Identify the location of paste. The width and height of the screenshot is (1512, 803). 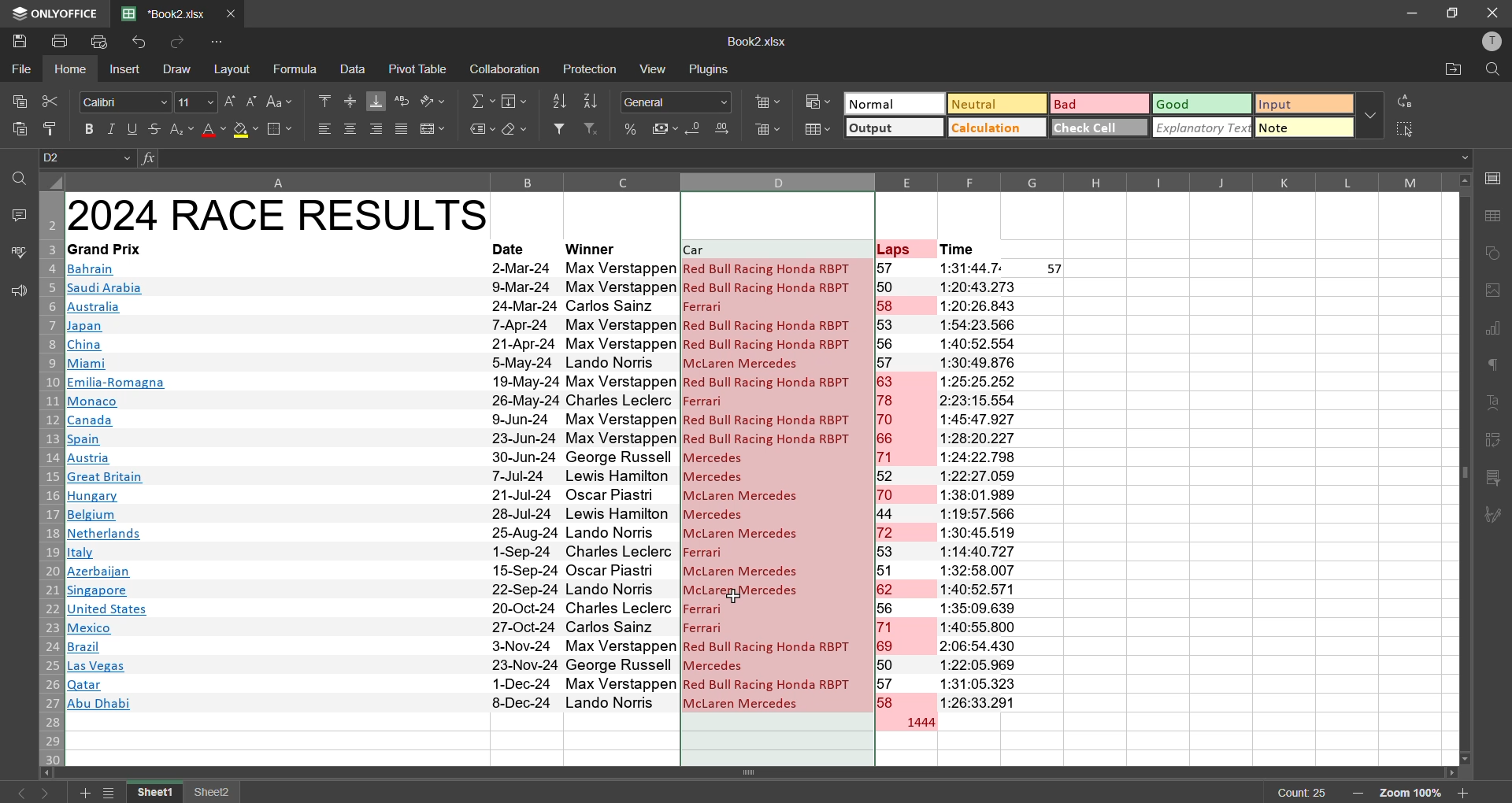
(20, 132).